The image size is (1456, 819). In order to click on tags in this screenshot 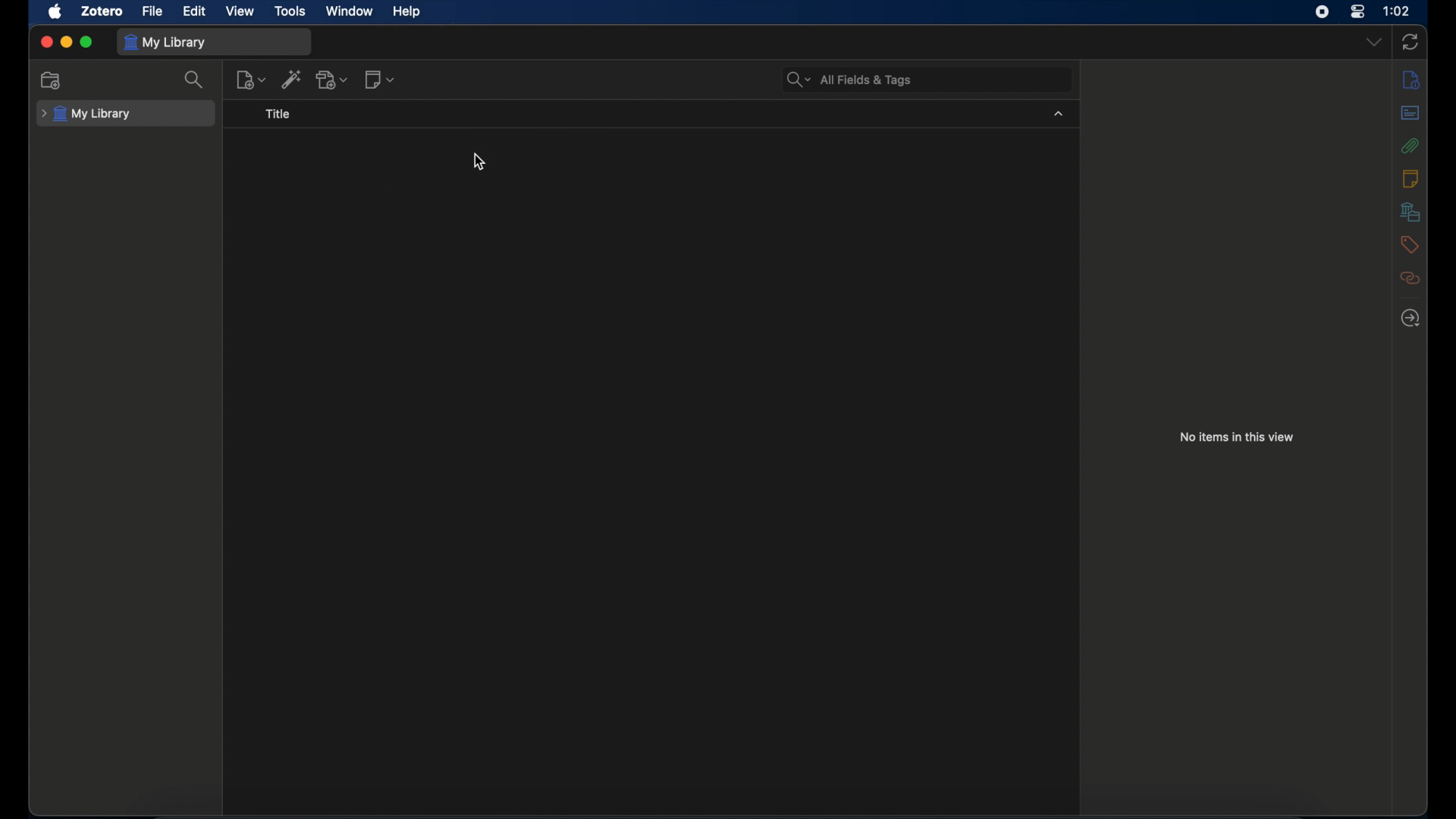, I will do `click(1407, 244)`.